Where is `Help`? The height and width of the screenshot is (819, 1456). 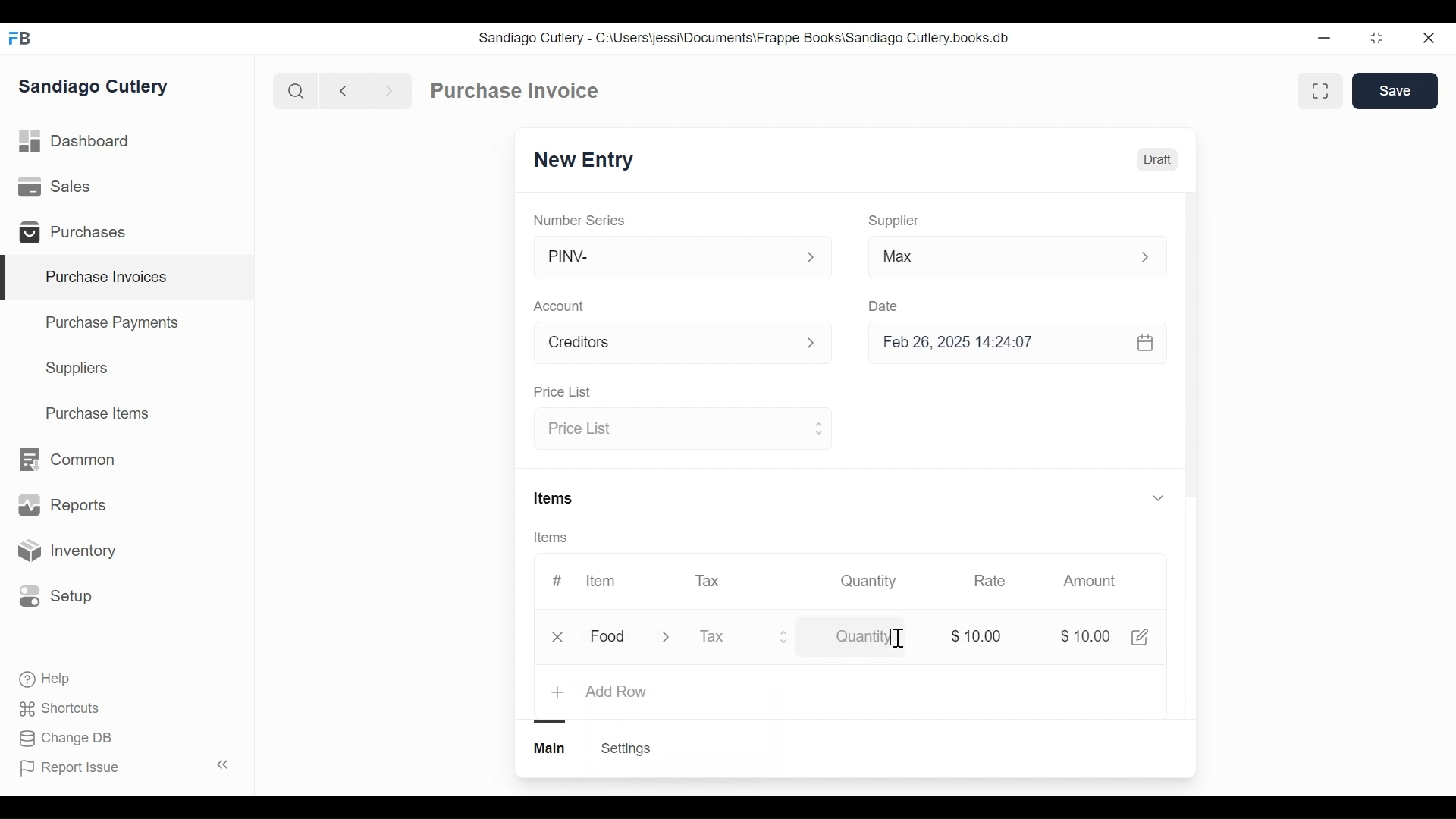 Help is located at coordinates (46, 679).